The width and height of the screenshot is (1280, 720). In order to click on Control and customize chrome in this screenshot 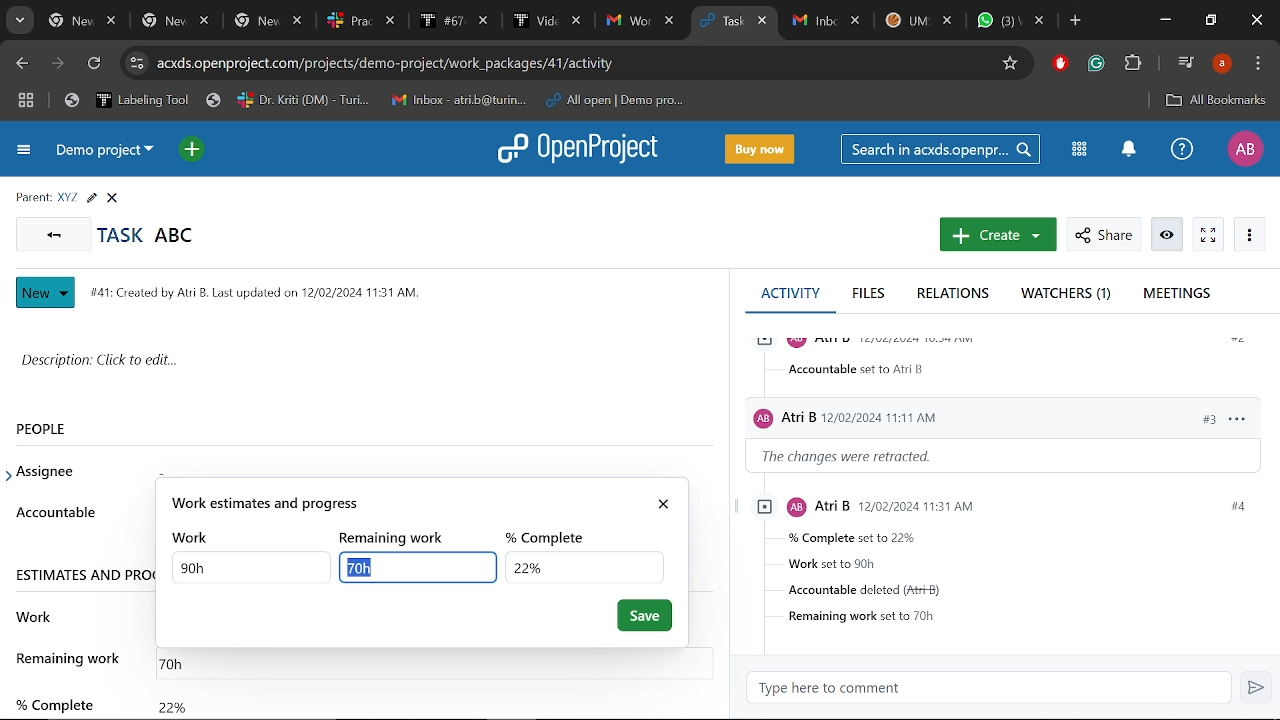, I will do `click(1258, 64)`.